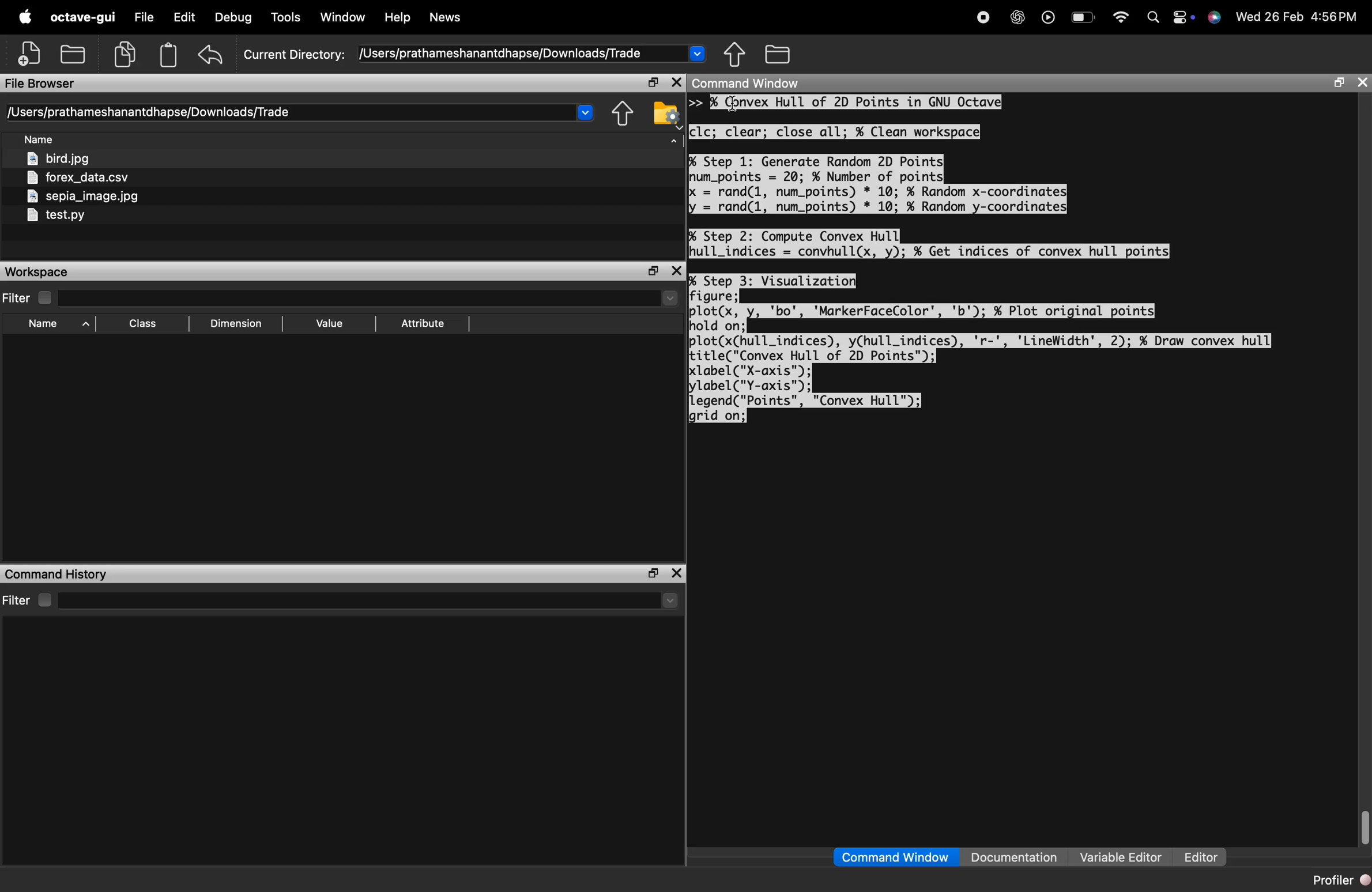 This screenshot has width=1372, height=892. I want to click on close, so click(679, 573).